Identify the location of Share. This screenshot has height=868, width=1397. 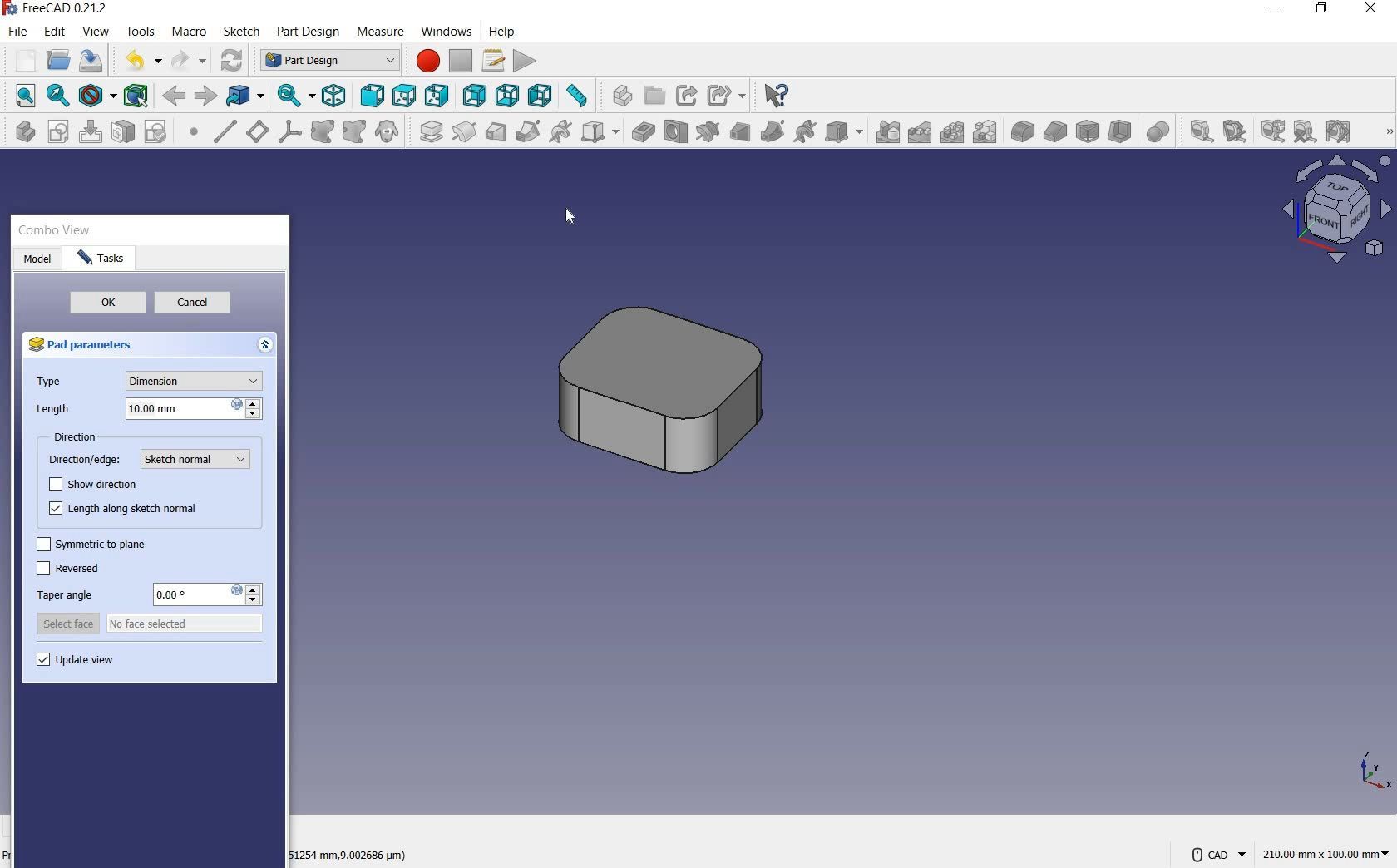
(689, 95).